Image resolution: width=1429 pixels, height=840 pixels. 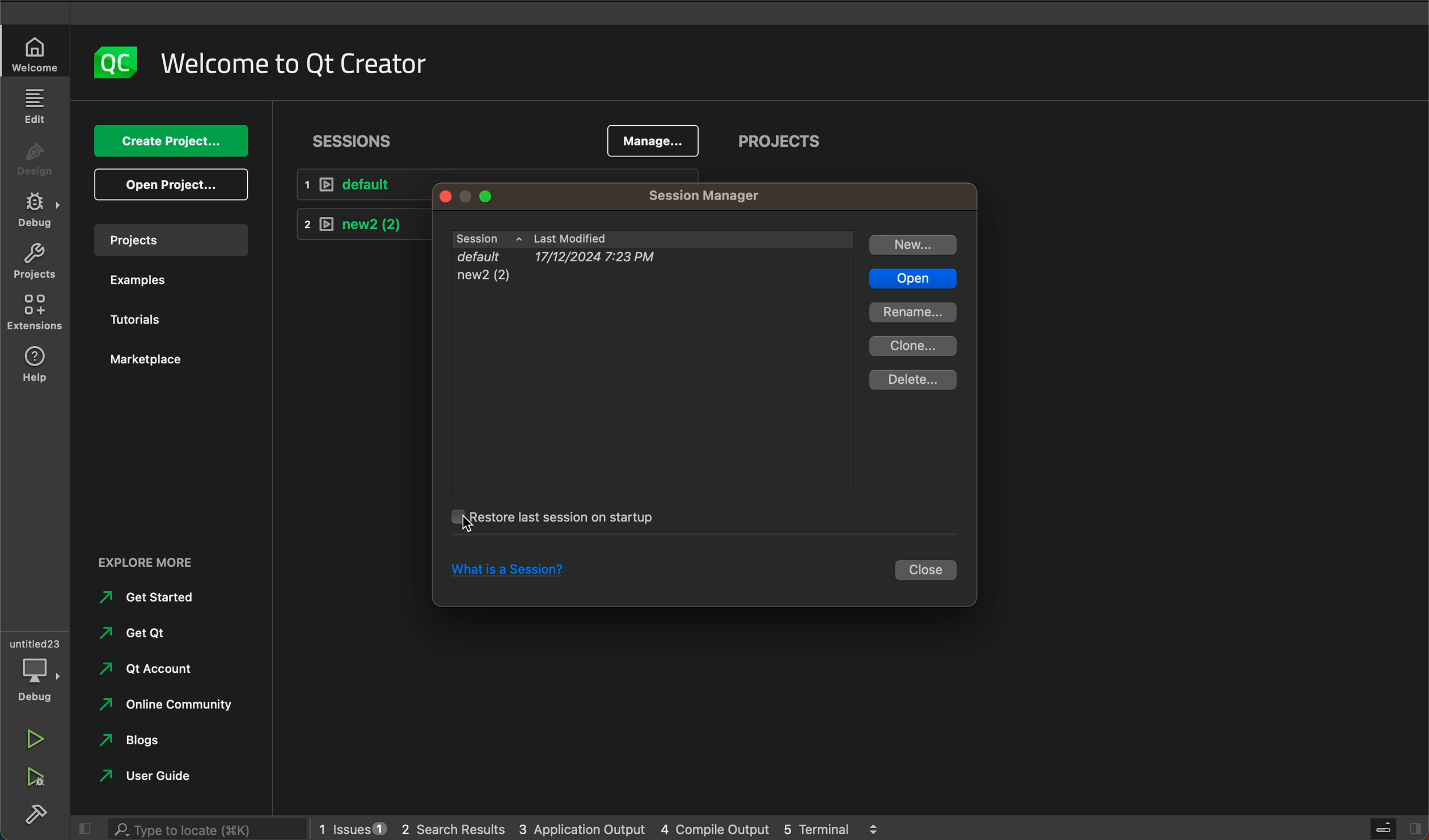 What do you see at coordinates (37, 261) in the screenshot?
I see `projects` at bounding box center [37, 261].